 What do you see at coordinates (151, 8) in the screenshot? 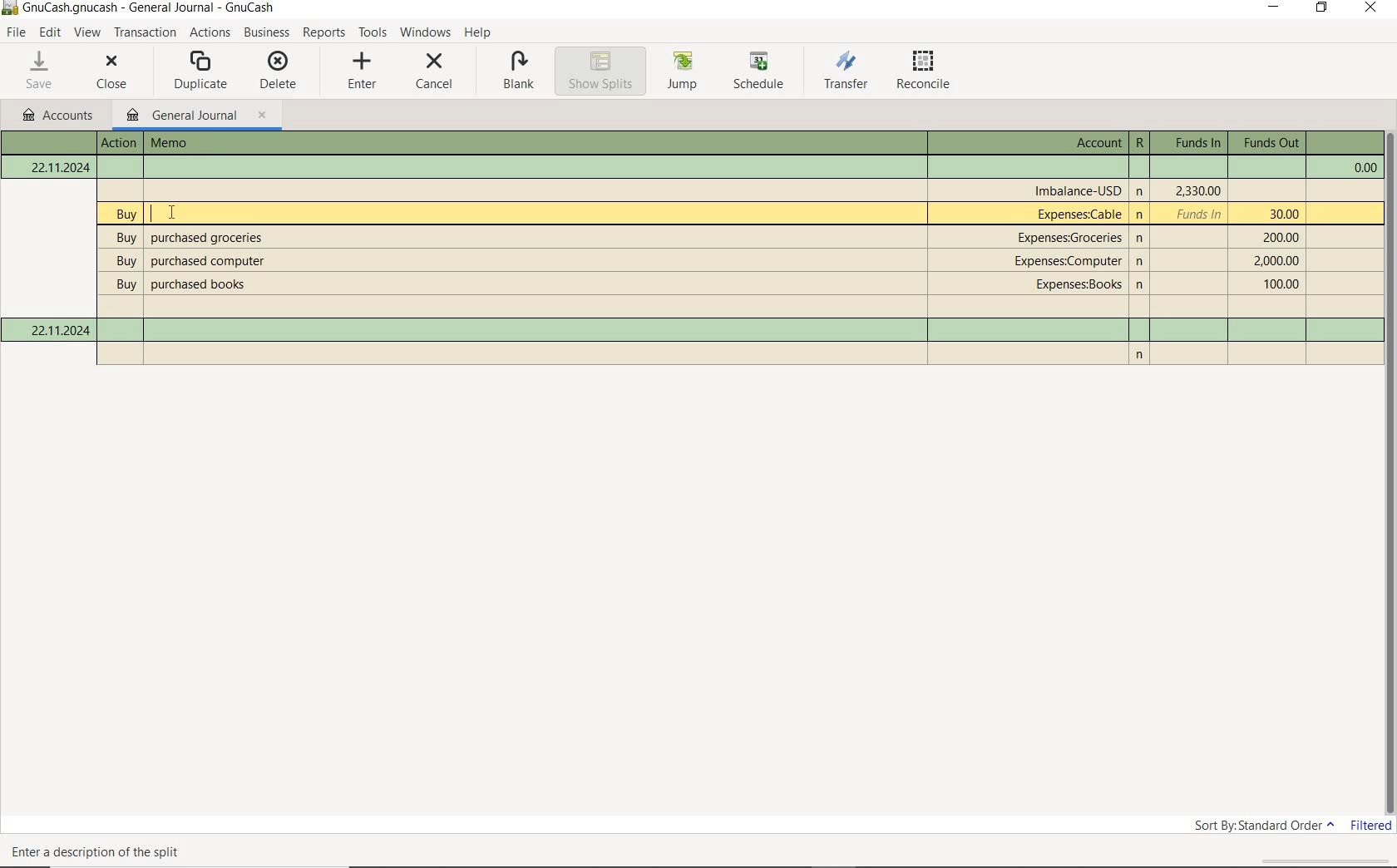
I see `Text` at bounding box center [151, 8].